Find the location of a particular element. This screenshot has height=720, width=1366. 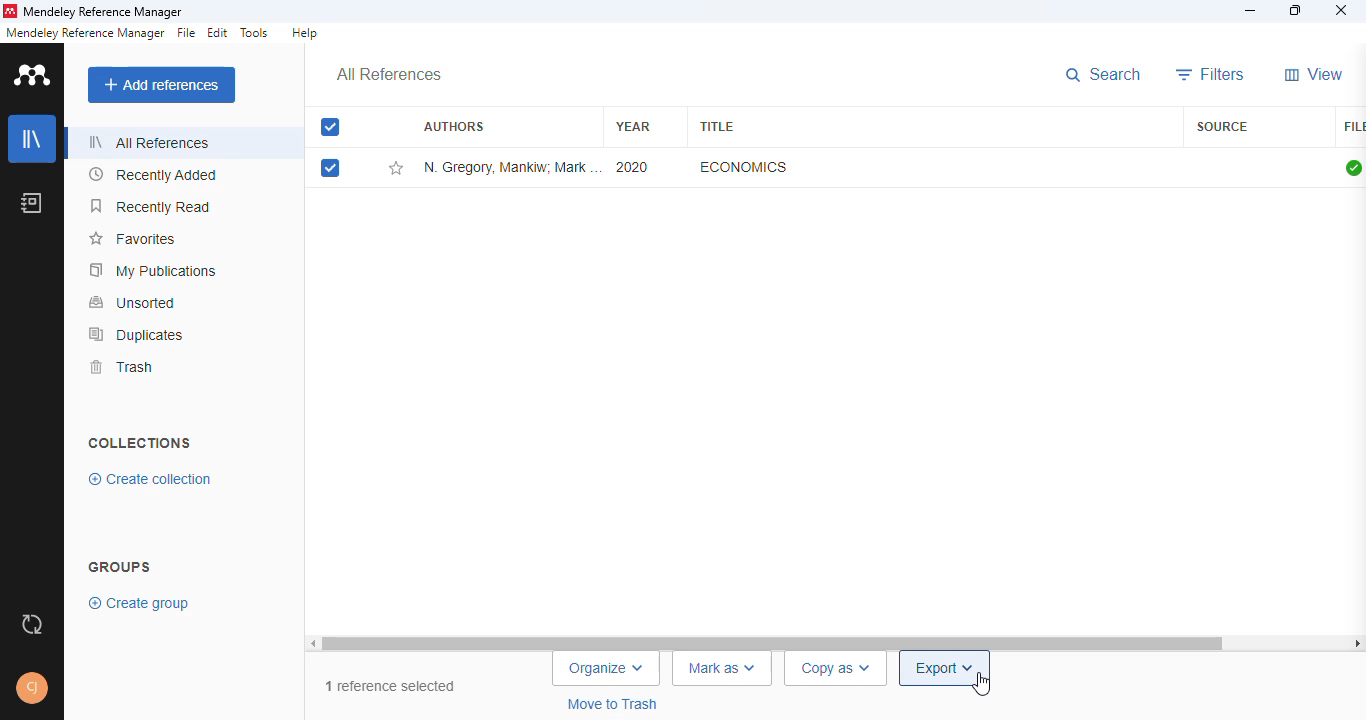

notebook is located at coordinates (30, 203).